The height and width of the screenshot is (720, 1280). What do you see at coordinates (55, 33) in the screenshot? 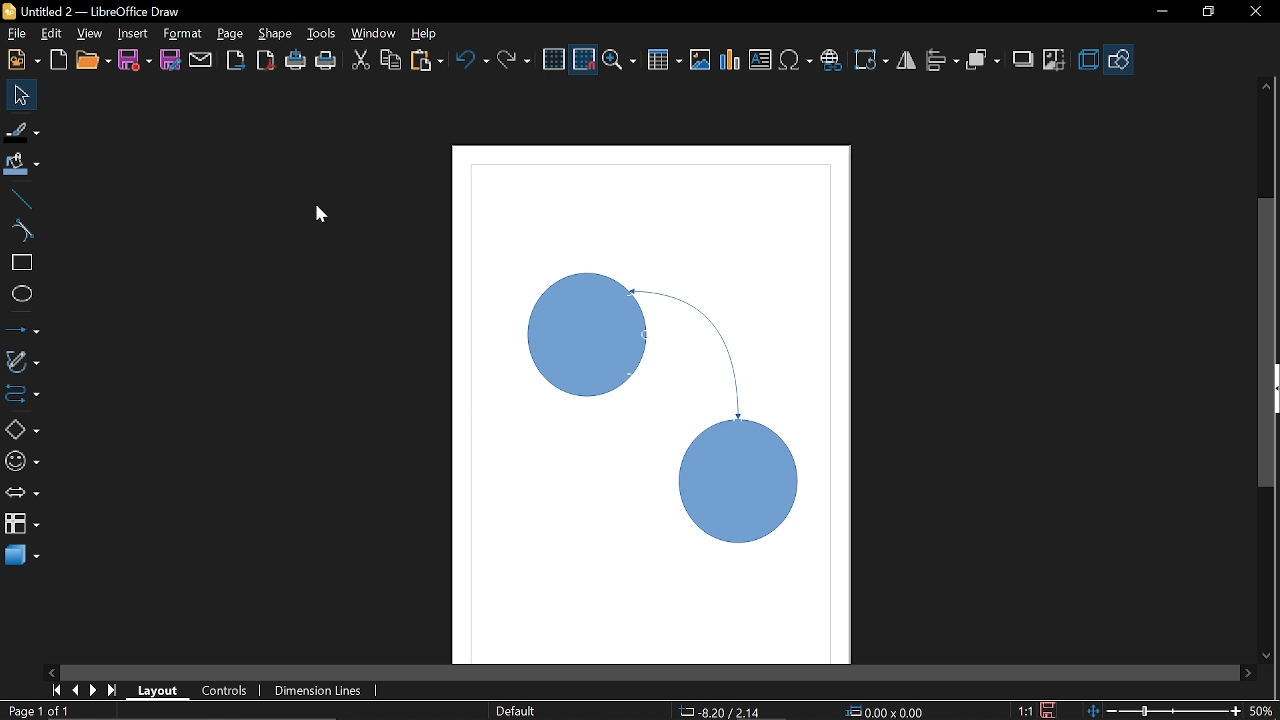
I see `edit` at bounding box center [55, 33].